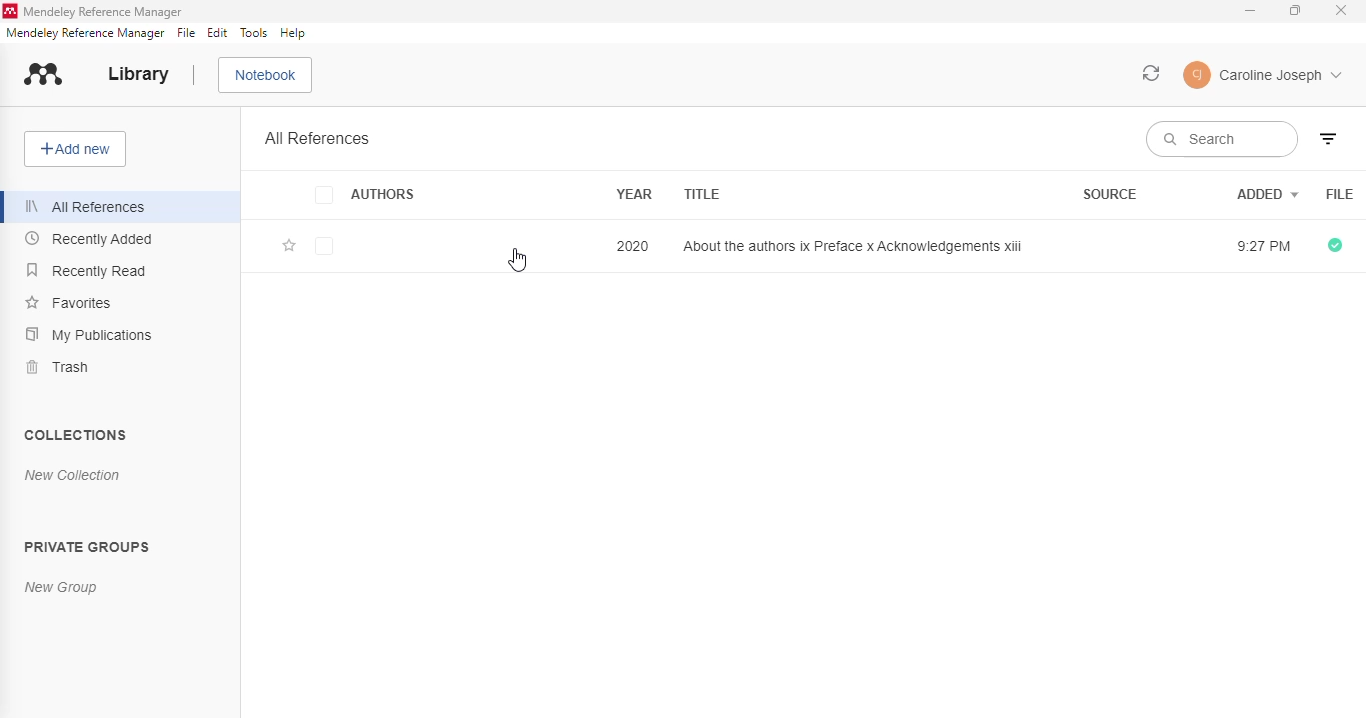 This screenshot has height=718, width=1366. What do you see at coordinates (73, 475) in the screenshot?
I see `new collection` at bounding box center [73, 475].